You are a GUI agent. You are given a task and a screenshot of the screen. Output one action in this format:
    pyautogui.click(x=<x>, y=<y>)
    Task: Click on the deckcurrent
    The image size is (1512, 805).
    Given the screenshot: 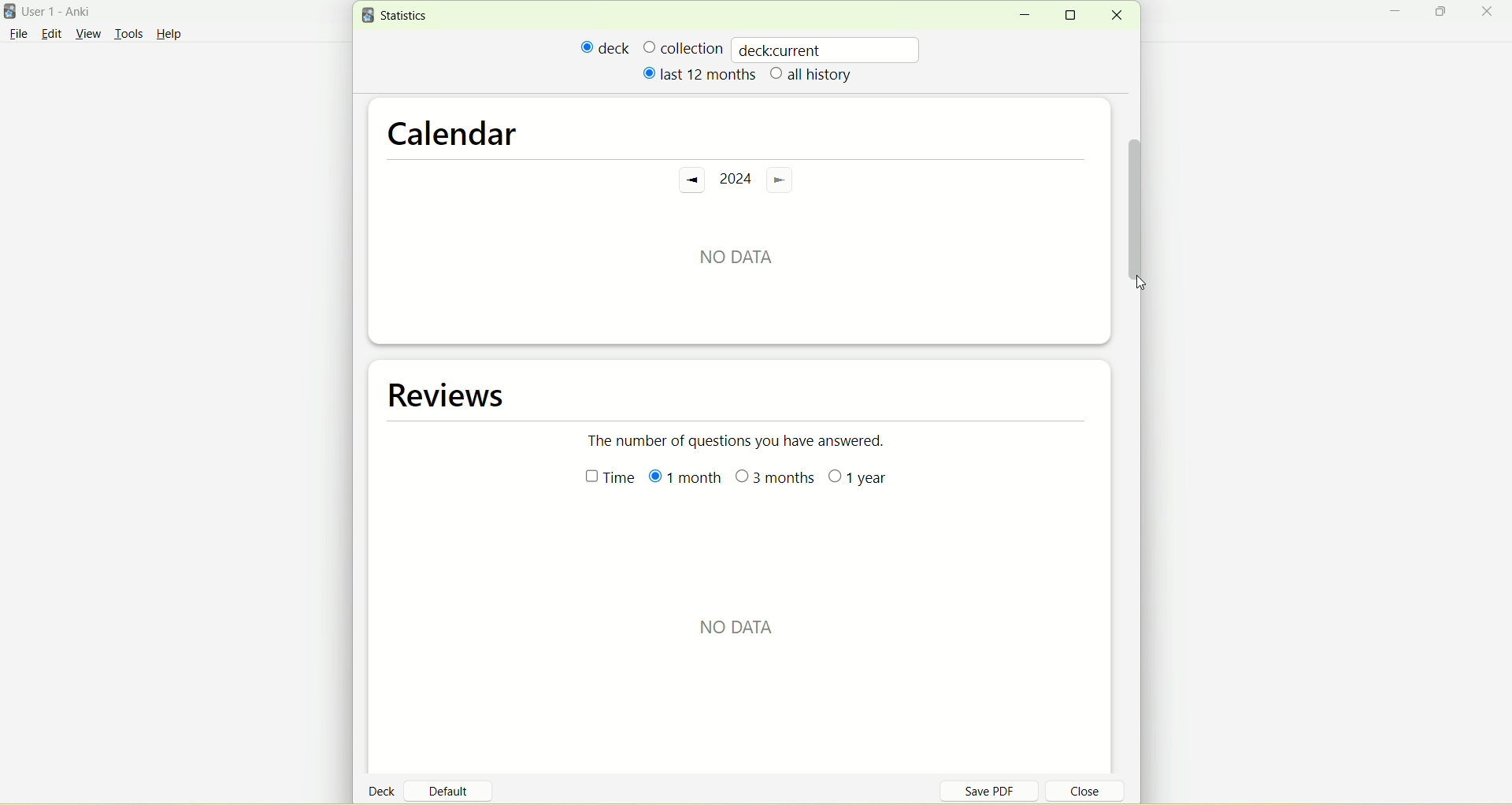 What is the action you would take?
    pyautogui.click(x=828, y=49)
    